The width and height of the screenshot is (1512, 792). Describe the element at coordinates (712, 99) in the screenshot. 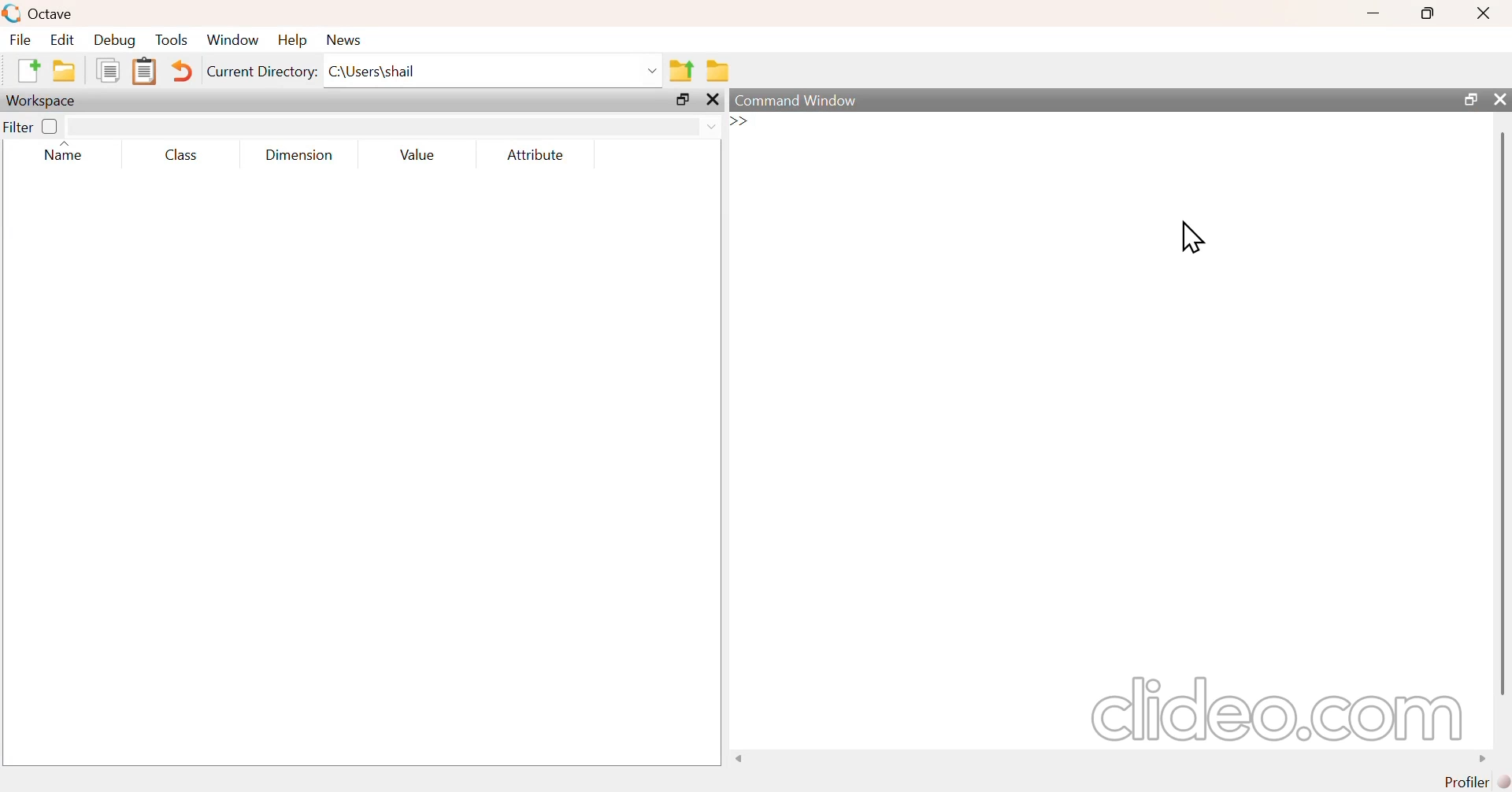

I see `close` at that location.